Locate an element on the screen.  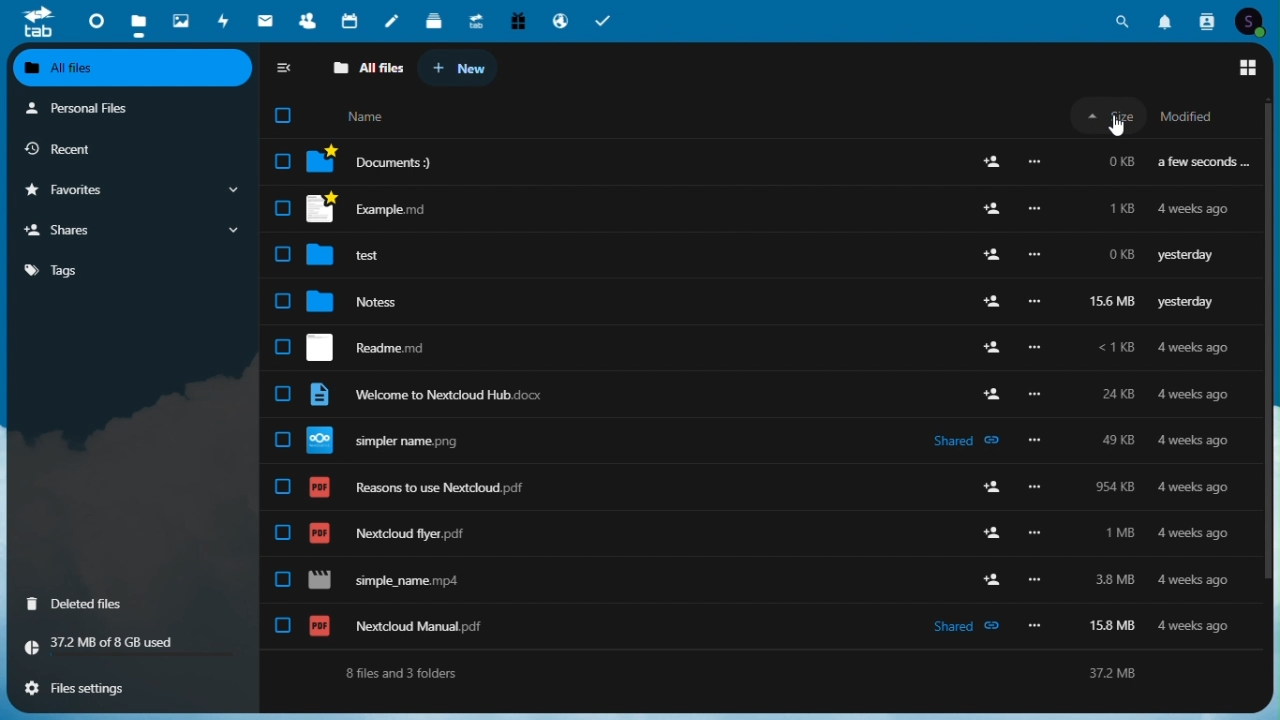
tasks is located at coordinates (604, 21).